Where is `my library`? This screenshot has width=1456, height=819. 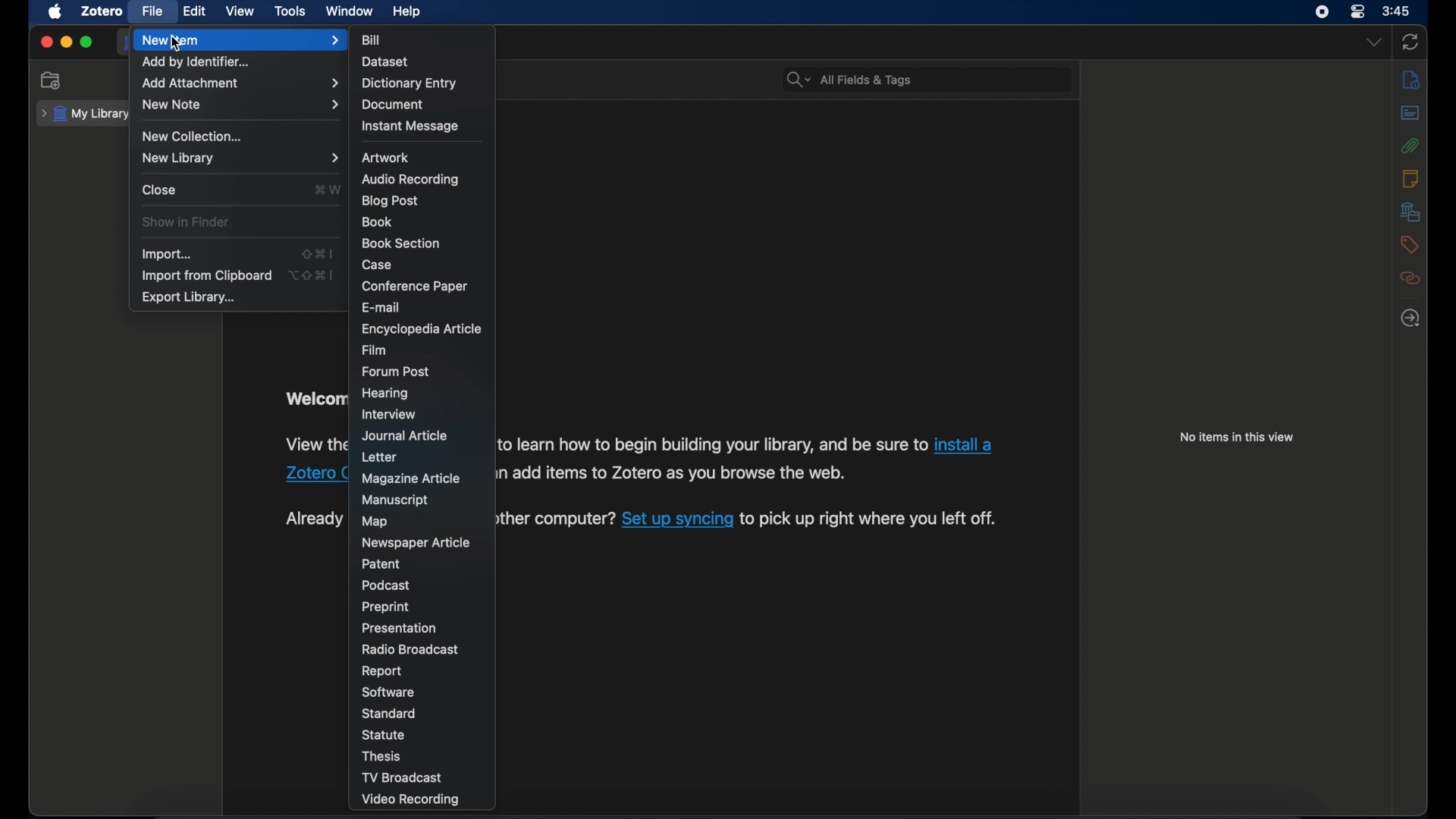 my library is located at coordinates (86, 114).